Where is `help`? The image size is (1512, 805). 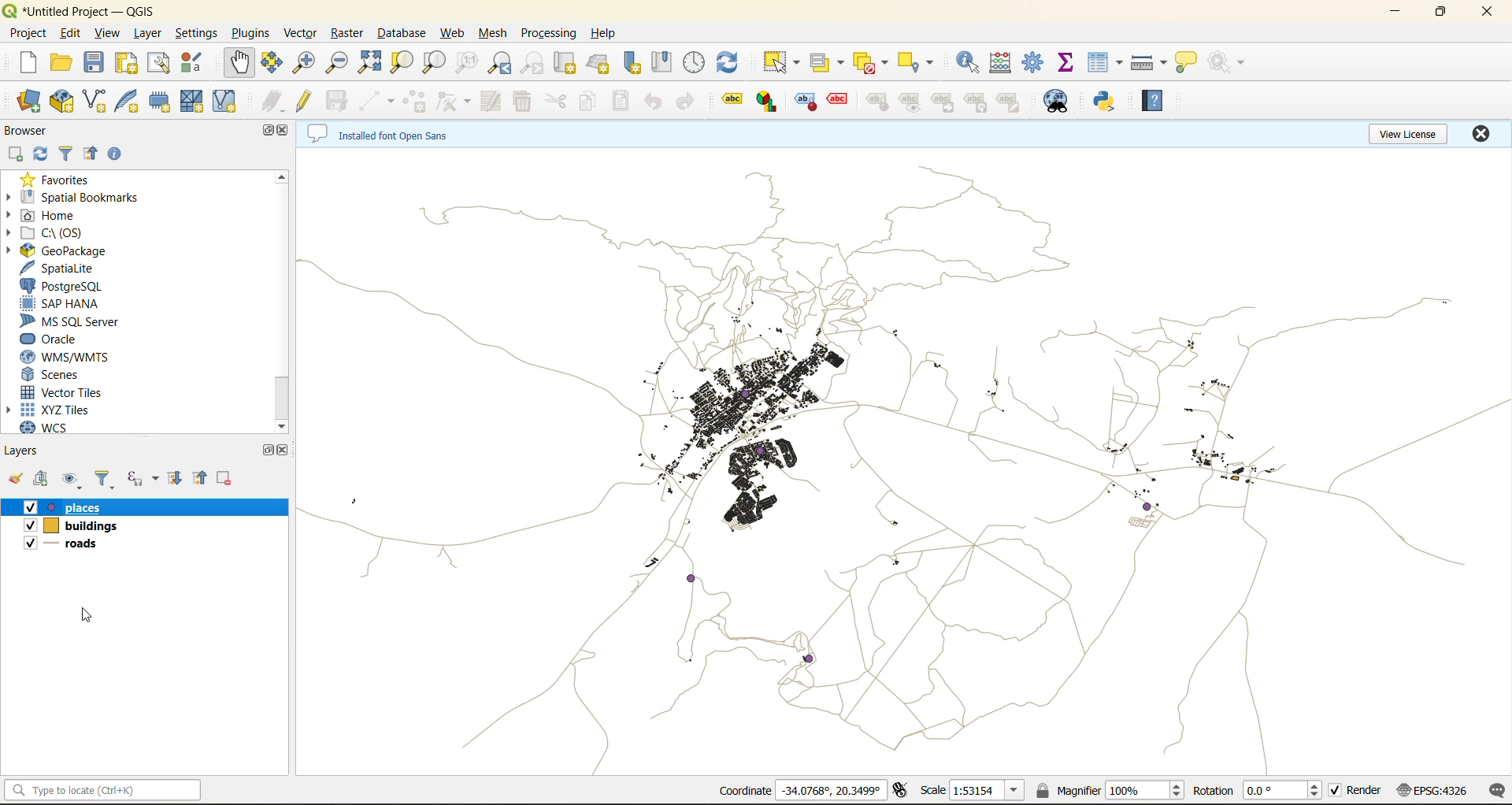 help is located at coordinates (606, 33).